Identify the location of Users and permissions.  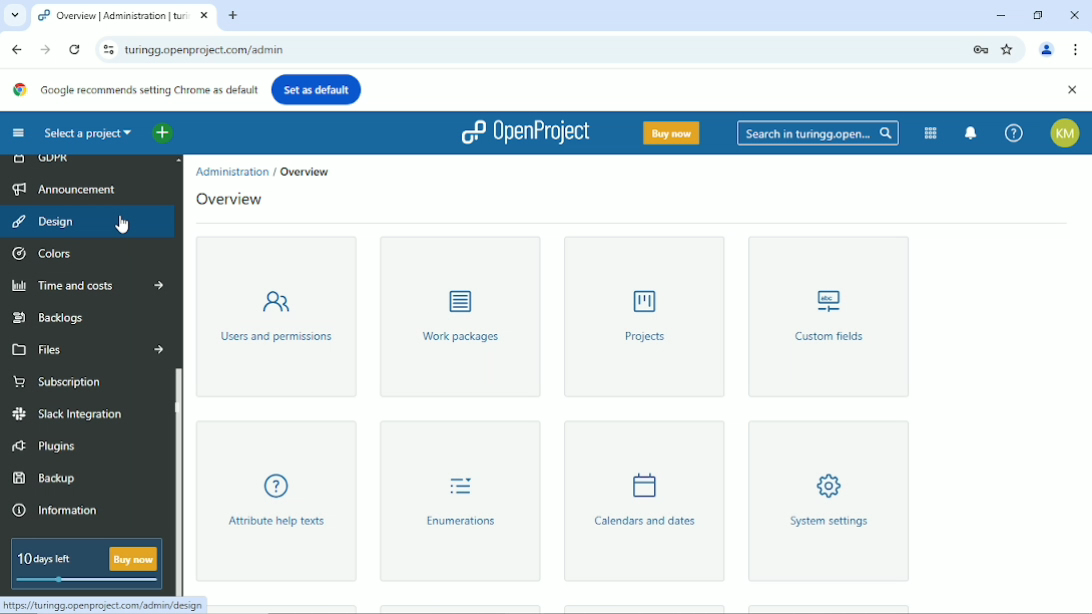
(275, 314).